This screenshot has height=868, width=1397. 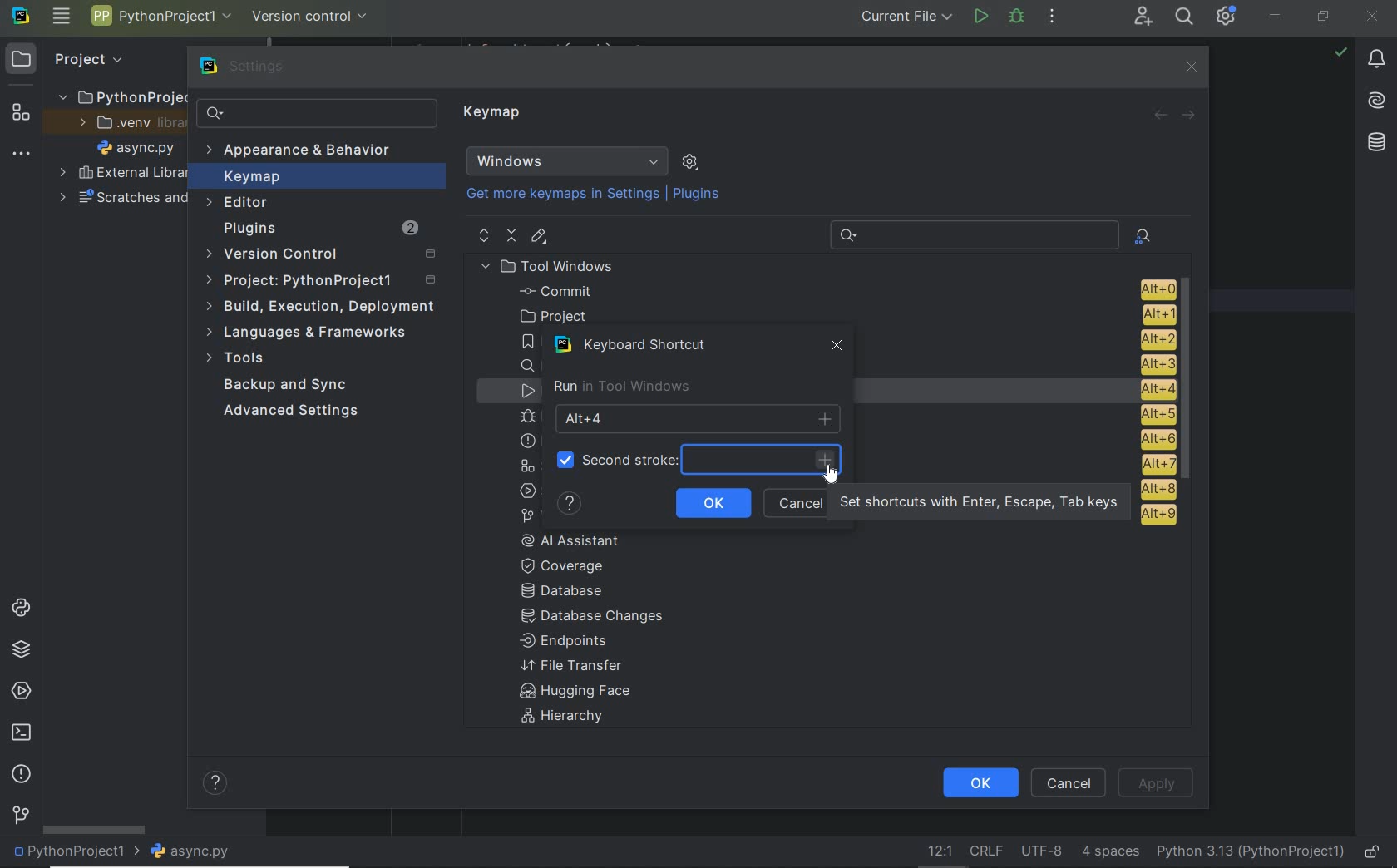 I want to click on set shortcuts with Enter, Escape, Tab keys, so click(x=981, y=503).